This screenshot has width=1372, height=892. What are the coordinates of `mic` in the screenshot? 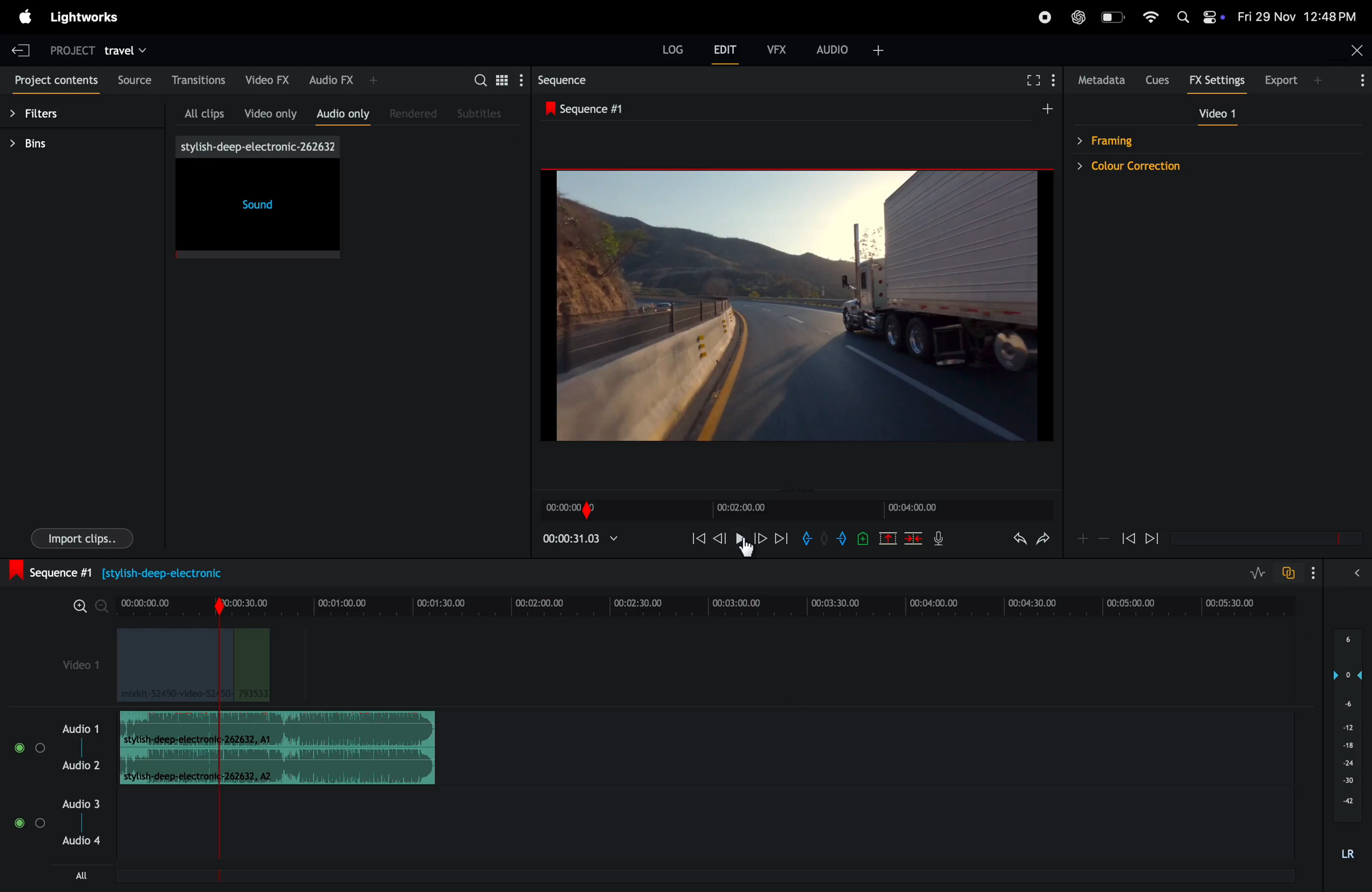 It's located at (944, 541).